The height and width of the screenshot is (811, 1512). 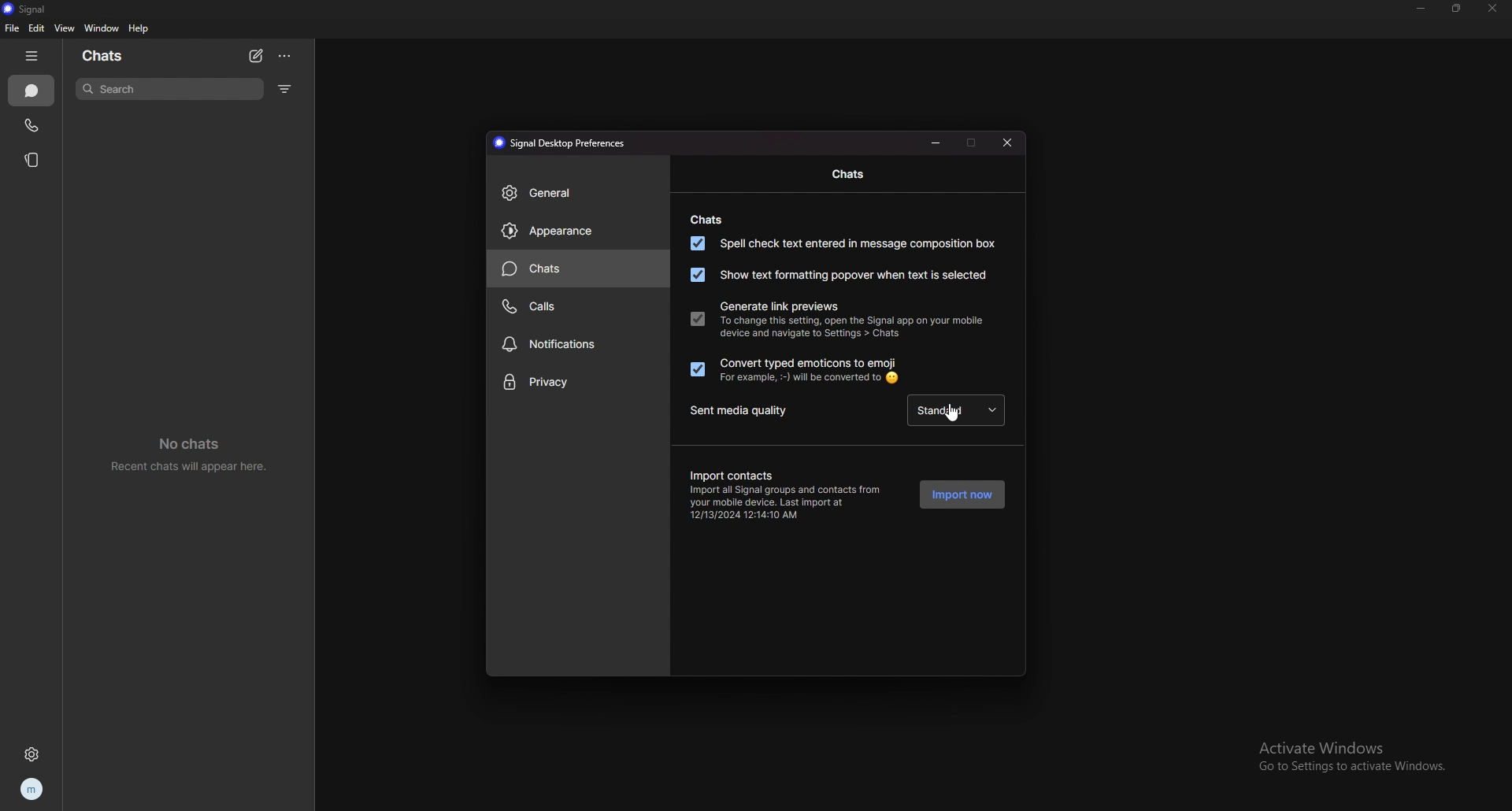 I want to click on general, so click(x=578, y=192).